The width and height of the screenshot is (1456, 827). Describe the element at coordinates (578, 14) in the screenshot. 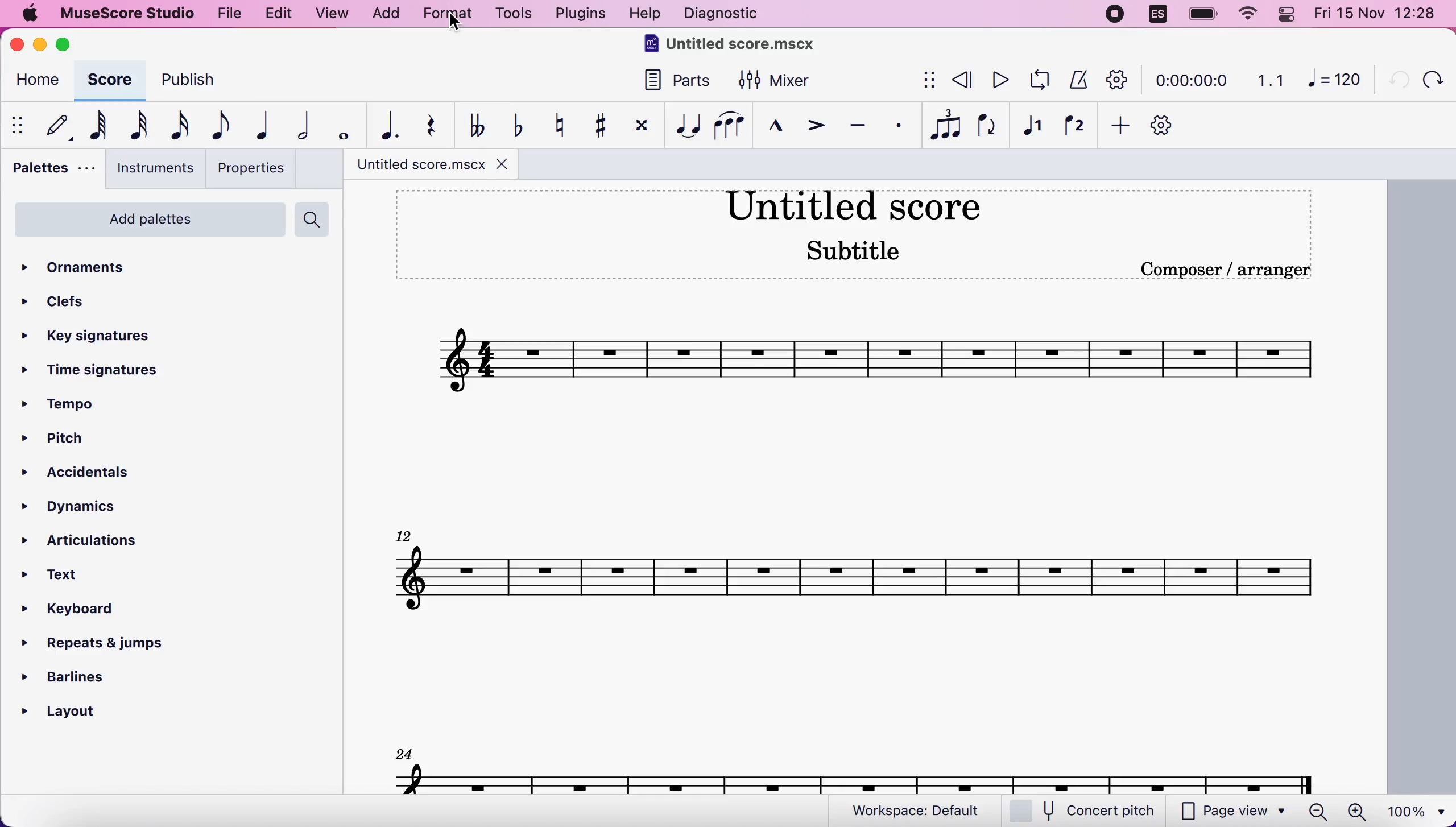

I see `plugins` at that location.